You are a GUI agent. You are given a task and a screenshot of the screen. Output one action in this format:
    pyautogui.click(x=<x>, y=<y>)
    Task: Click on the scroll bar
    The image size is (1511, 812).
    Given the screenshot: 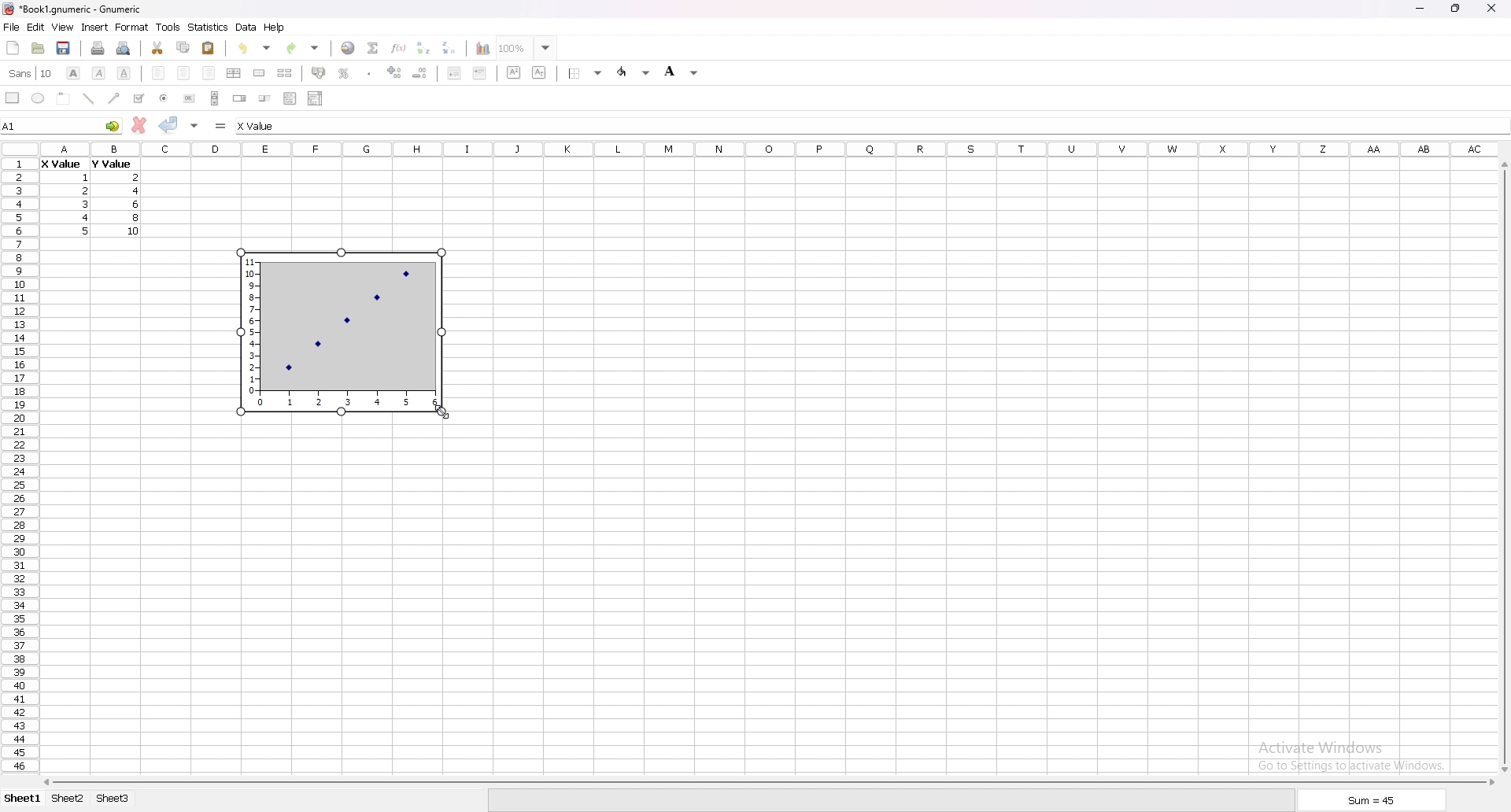 What is the action you would take?
    pyautogui.click(x=1502, y=467)
    